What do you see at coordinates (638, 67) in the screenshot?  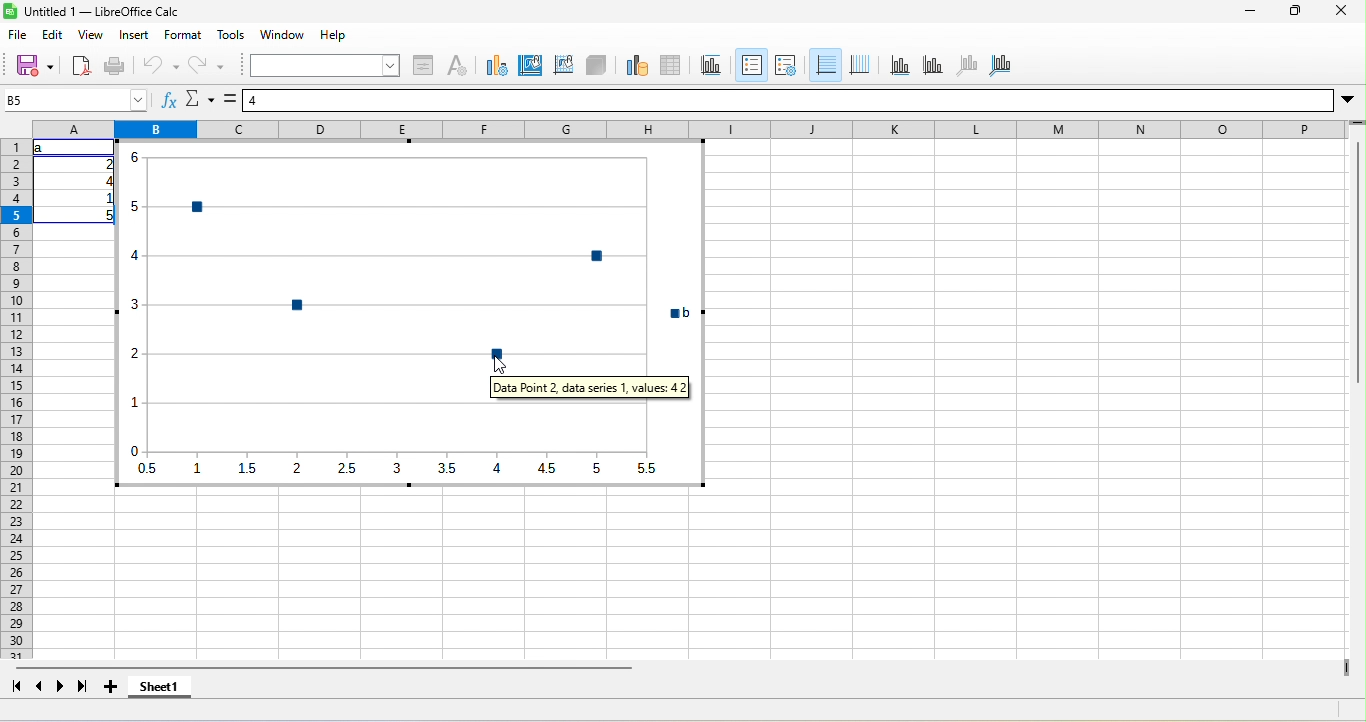 I see `data range` at bounding box center [638, 67].